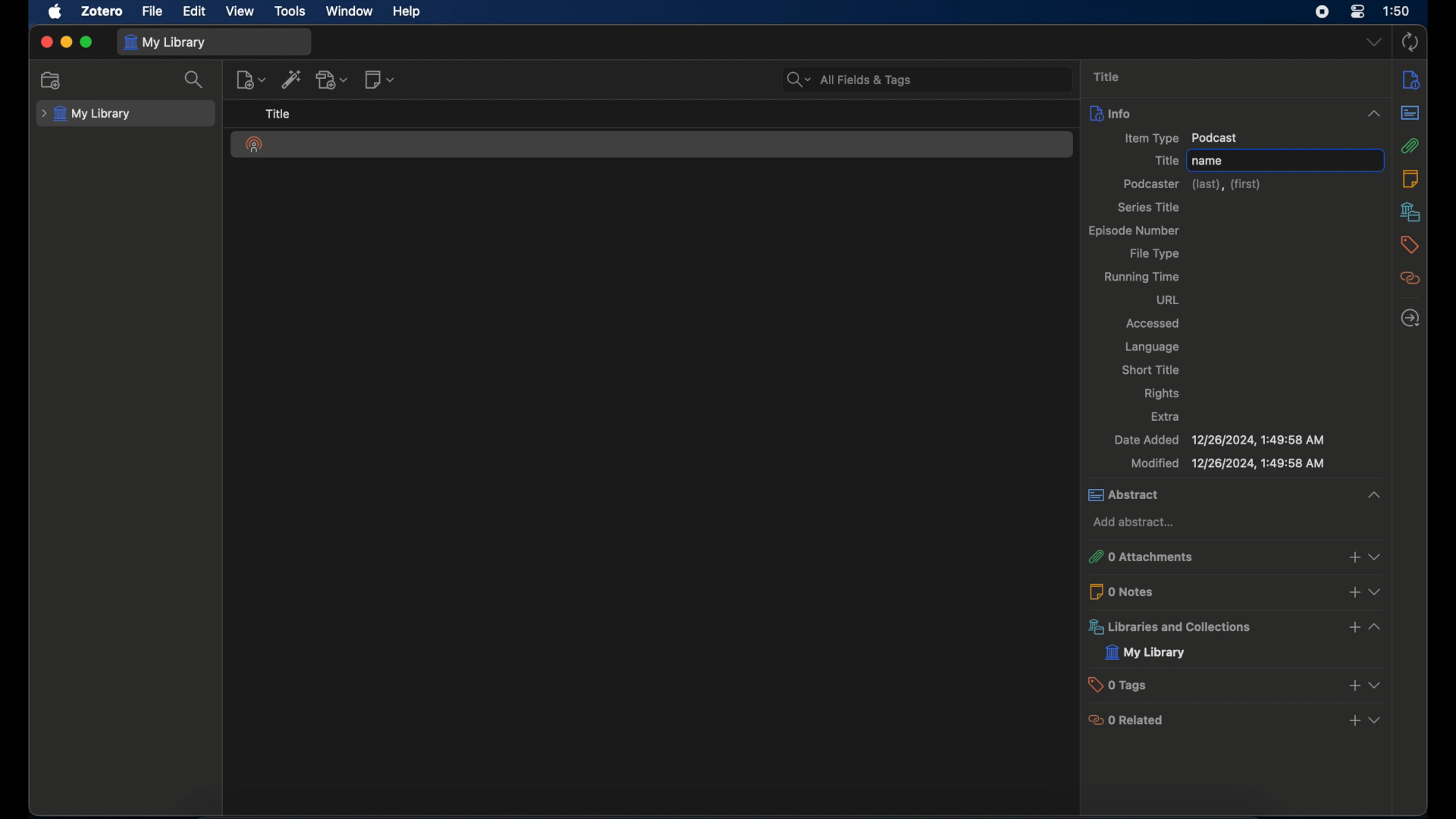 This screenshot has width=1456, height=819. I want to click on 0 tags, so click(1238, 684).